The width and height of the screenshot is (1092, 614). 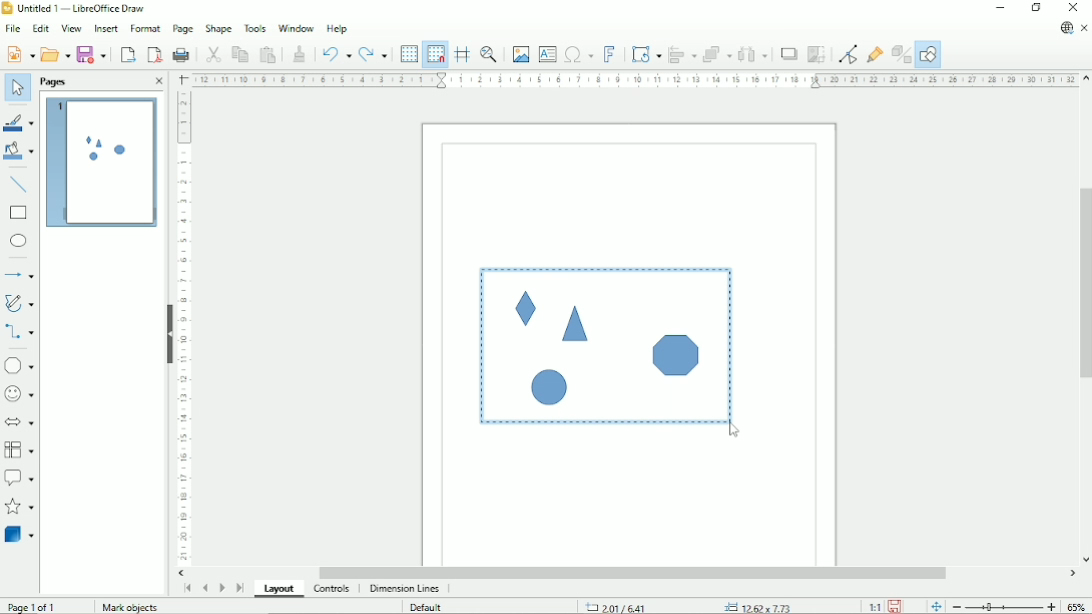 What do you see at coordinates (19, 241) in the screenshot?
I see `Ellipse` at bounding box center [19, 241].